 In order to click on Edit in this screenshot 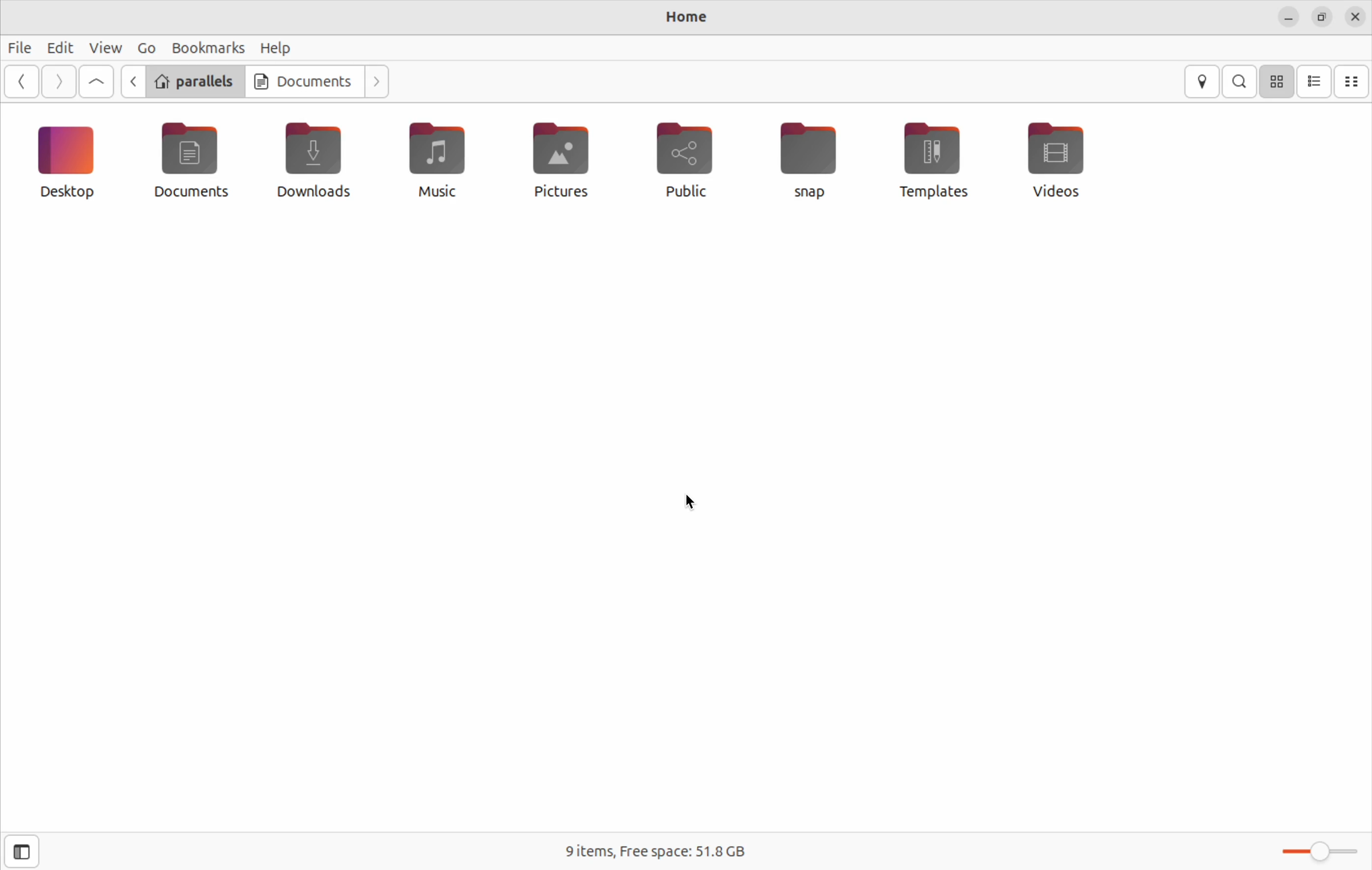, I will do `click(59, 47)`.